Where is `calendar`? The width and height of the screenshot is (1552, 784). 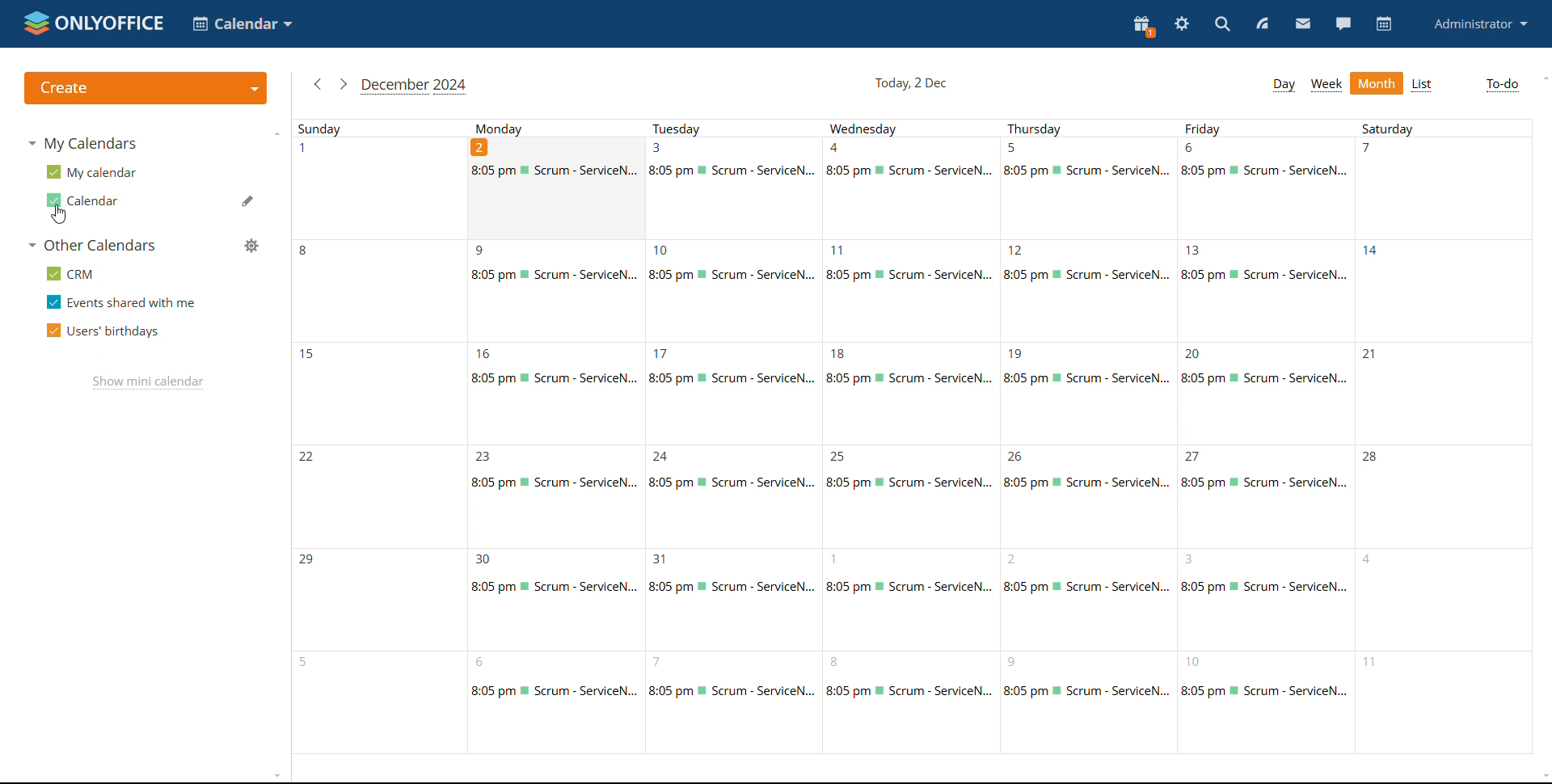 calendar is located at coordinates (83, 200).